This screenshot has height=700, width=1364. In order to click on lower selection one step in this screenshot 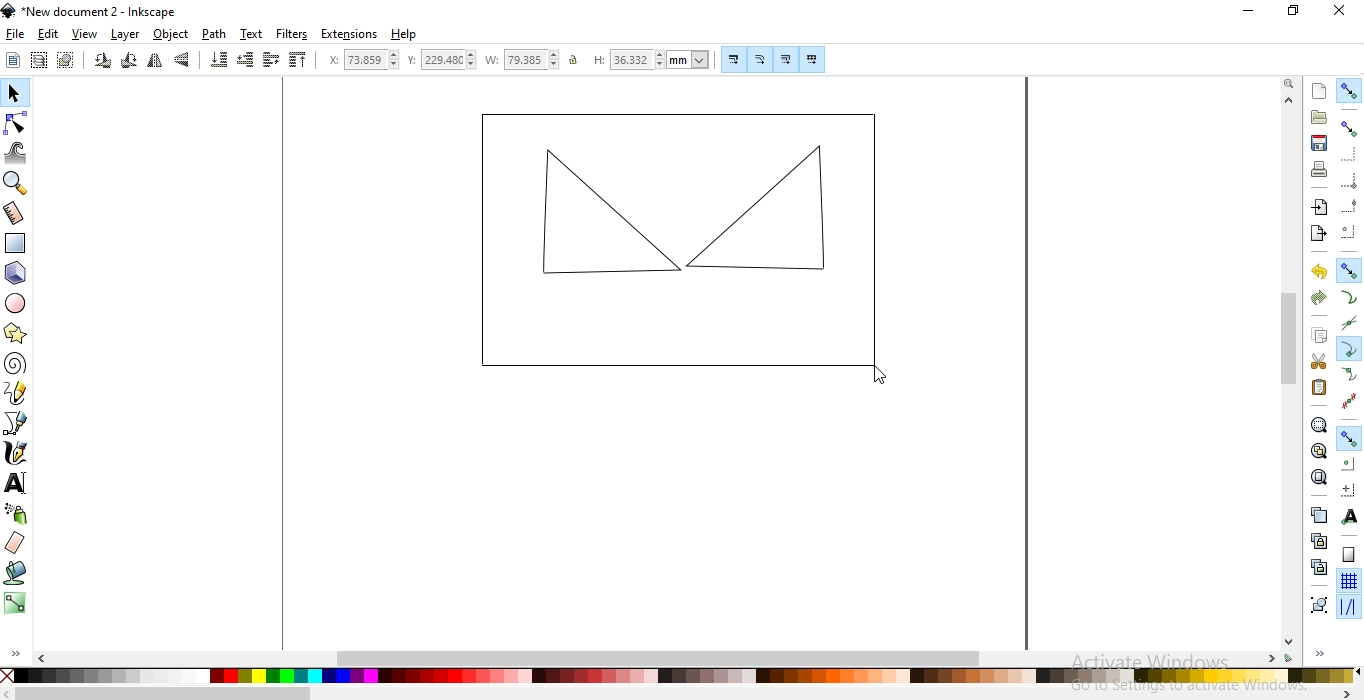, I will do `click(247, 61)`.